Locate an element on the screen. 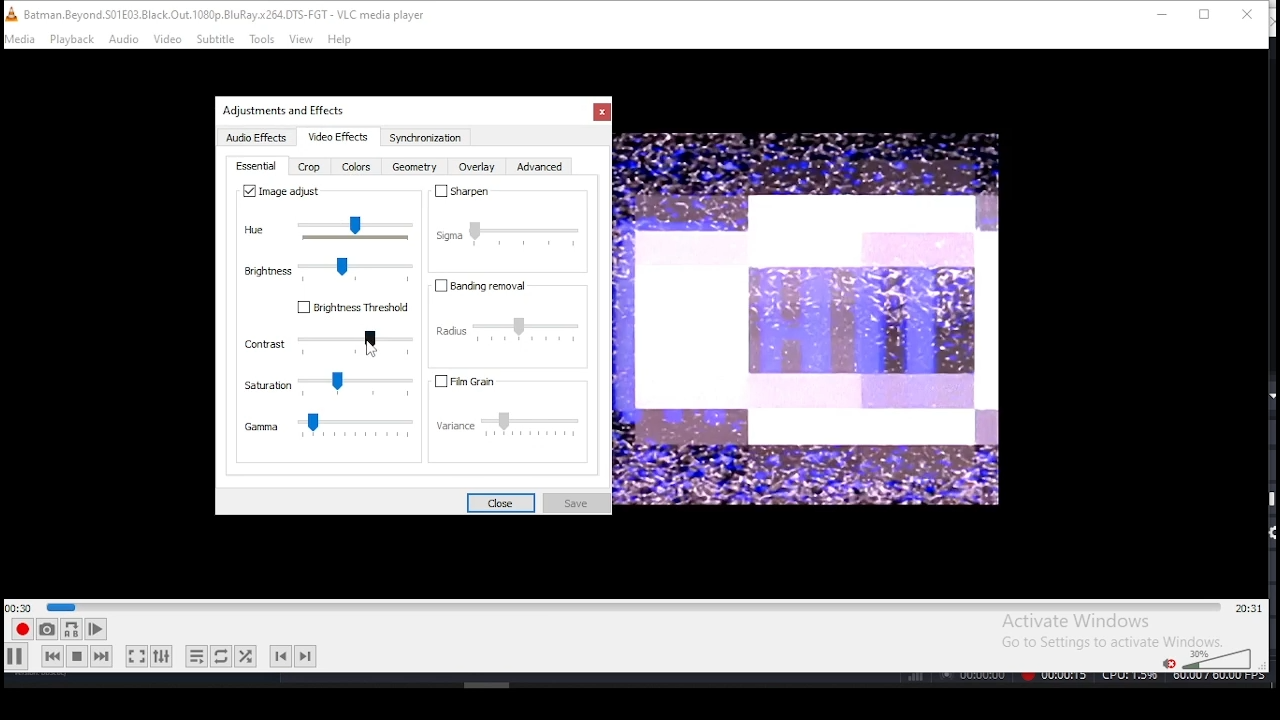 The width and height of the screenshot is (1280, 720). next media in track, skips forward when held is located at coordinates (102, 657).